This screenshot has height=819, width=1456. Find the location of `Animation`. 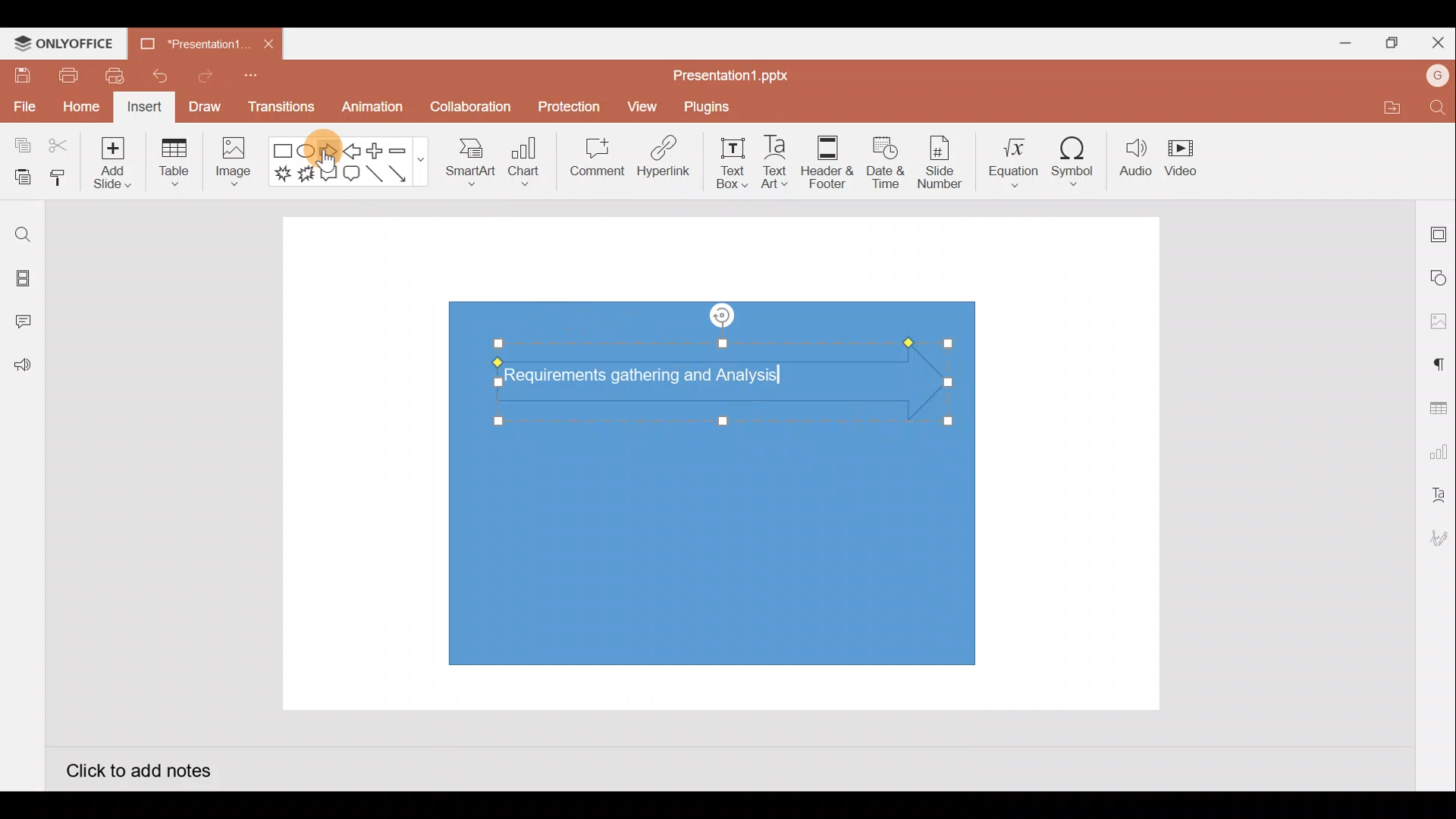

Animation is located at coordinates (374, 111).